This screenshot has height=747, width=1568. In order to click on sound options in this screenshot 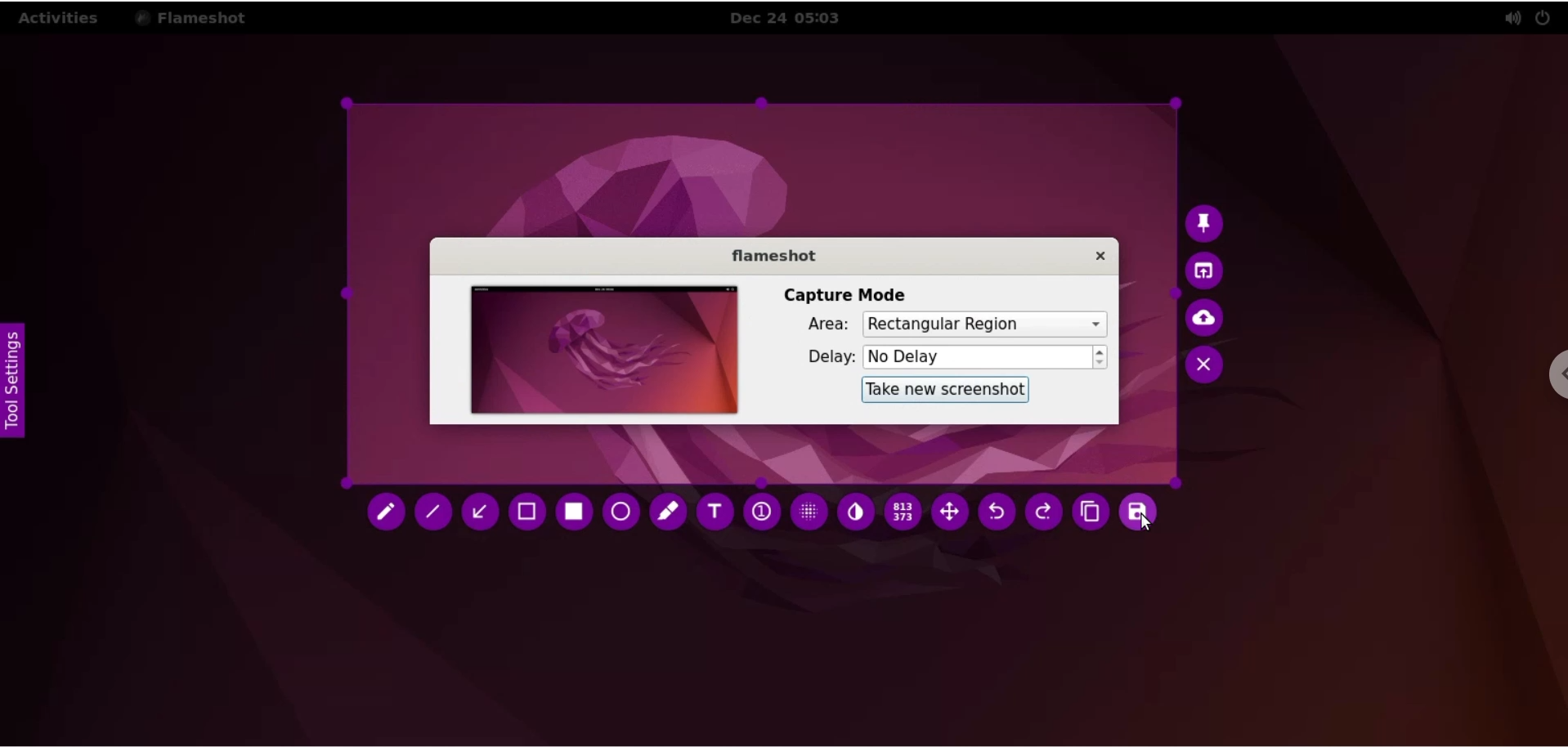, I will do `click(1512, 18)`.